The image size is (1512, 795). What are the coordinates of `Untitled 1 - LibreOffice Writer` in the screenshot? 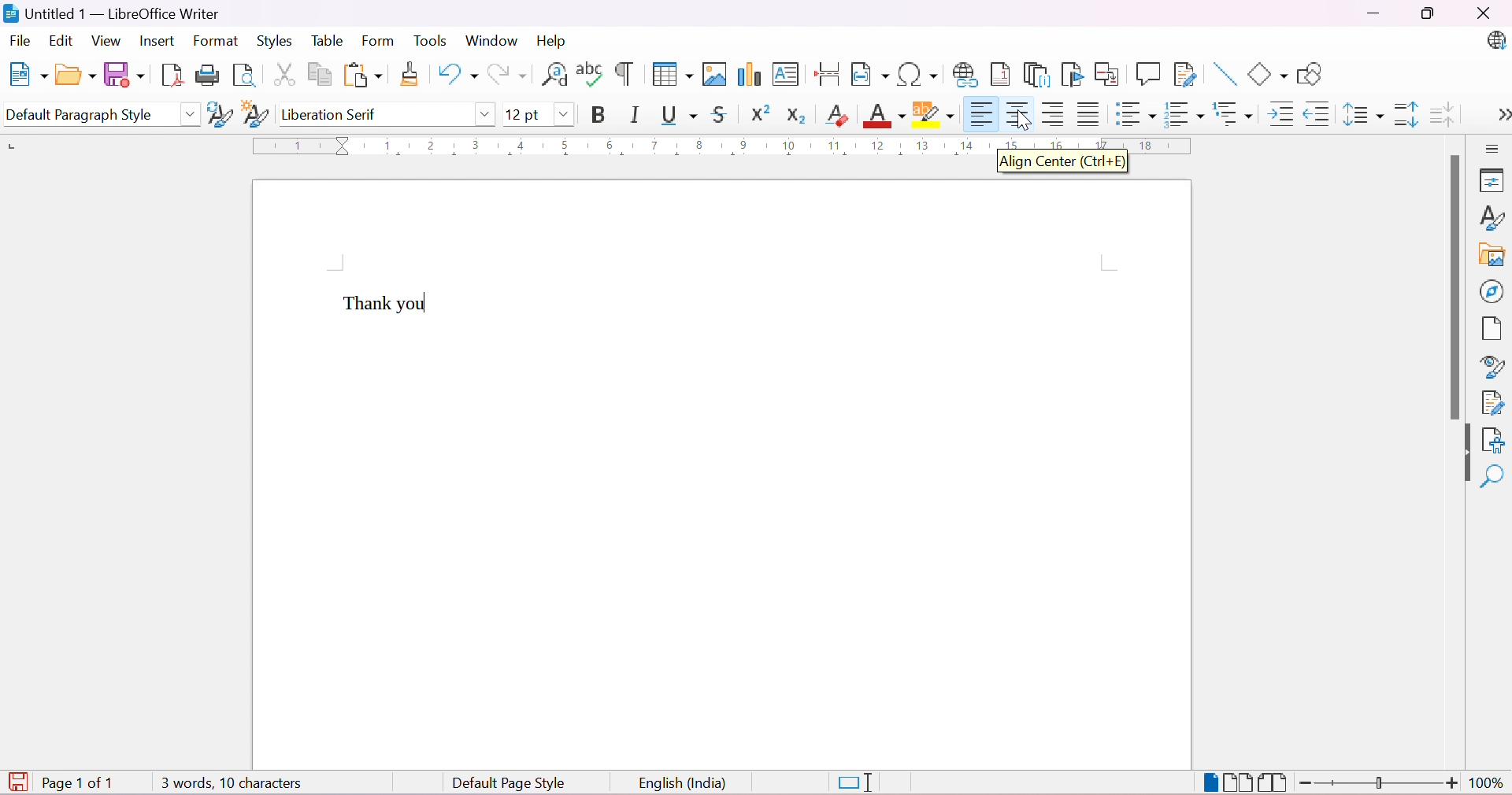 It's located at (110, 13).